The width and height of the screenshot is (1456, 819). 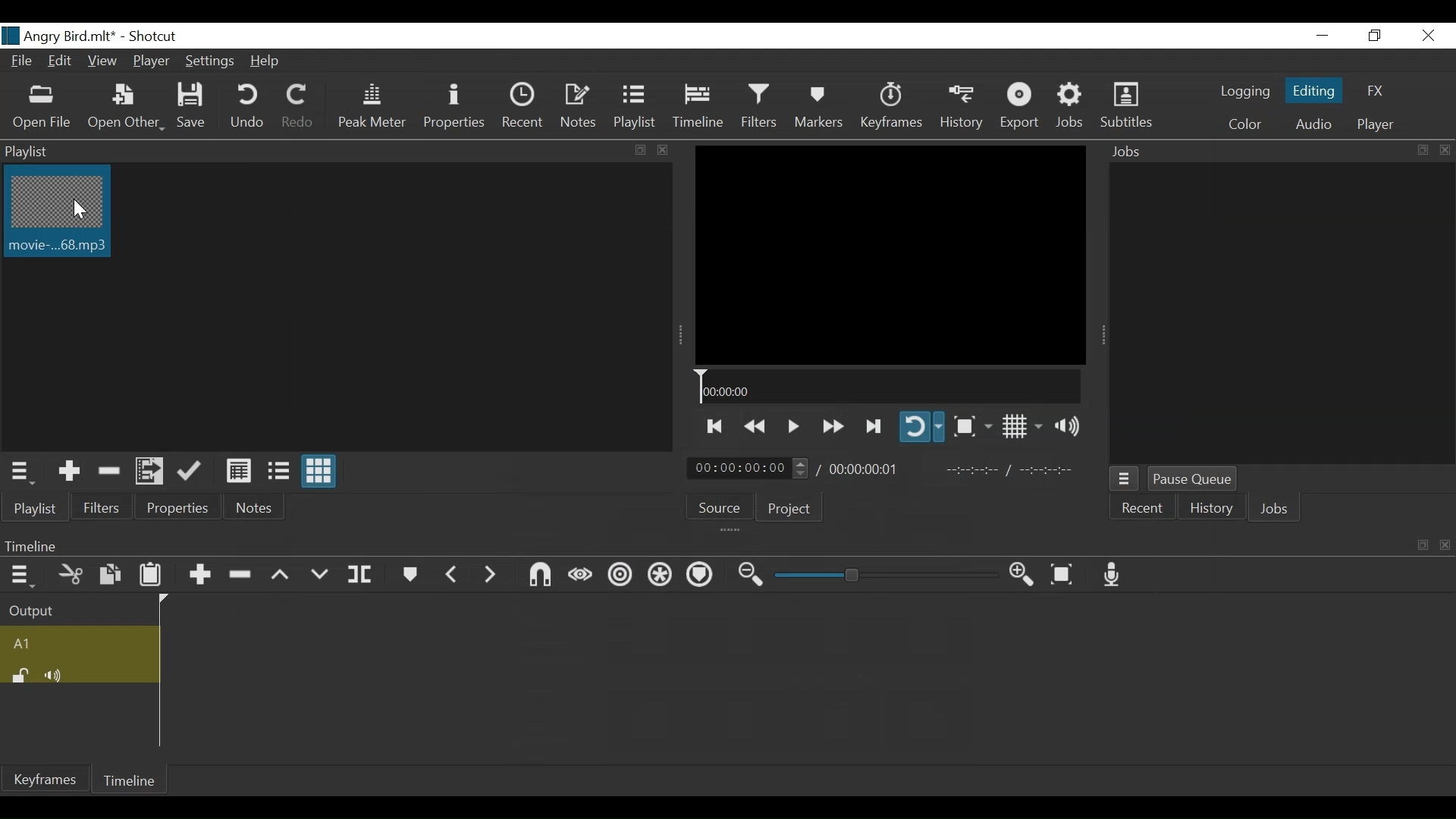 I want to click on Add the Source to the playlist, so click(x=70, y=472).